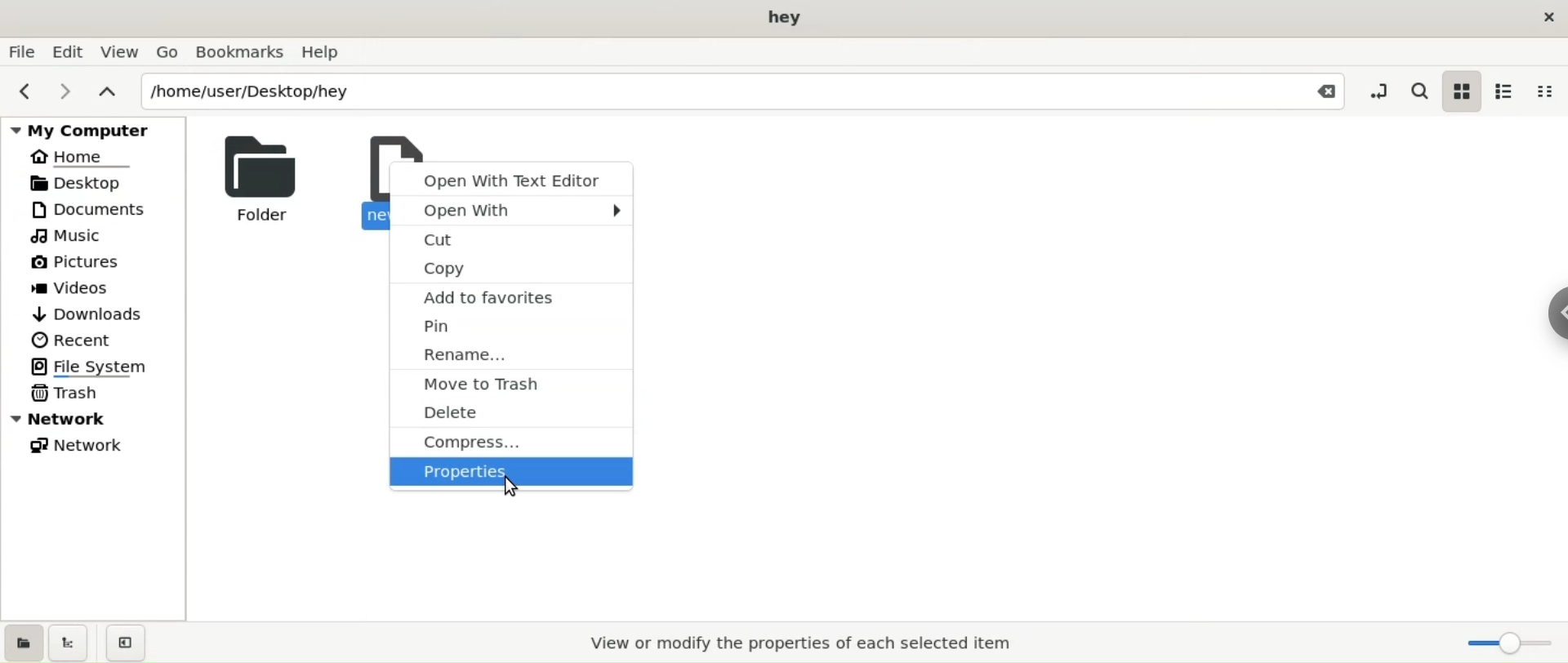  What do you see at coordinates (96, 209) in the screenshot?
I see `Documents` at bounding box center [96, 209].